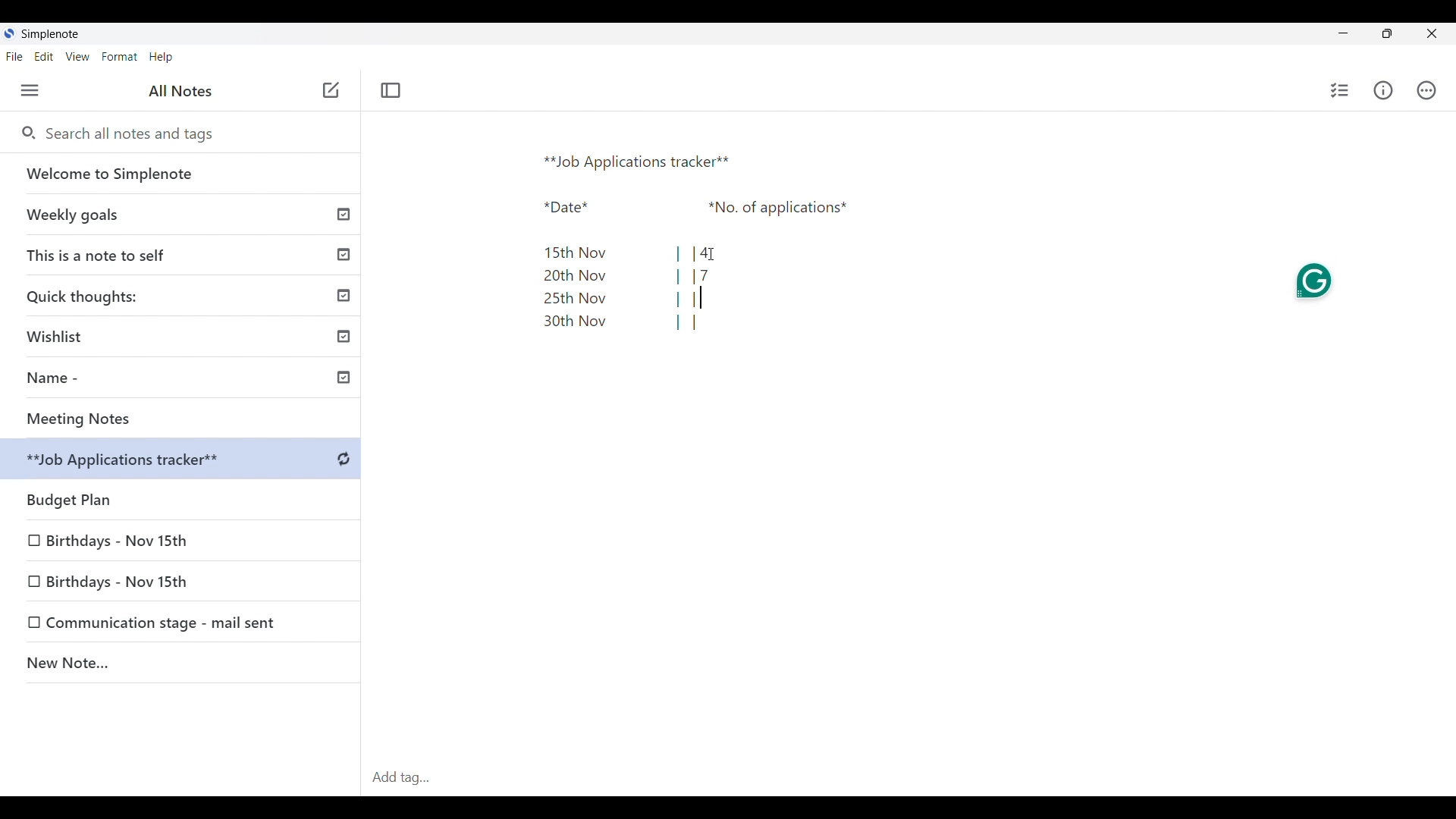 This screenshot has width=1456, height=819. Describe the element at coordinates (120, 57) in the screenshot. I see `Format` at that location.